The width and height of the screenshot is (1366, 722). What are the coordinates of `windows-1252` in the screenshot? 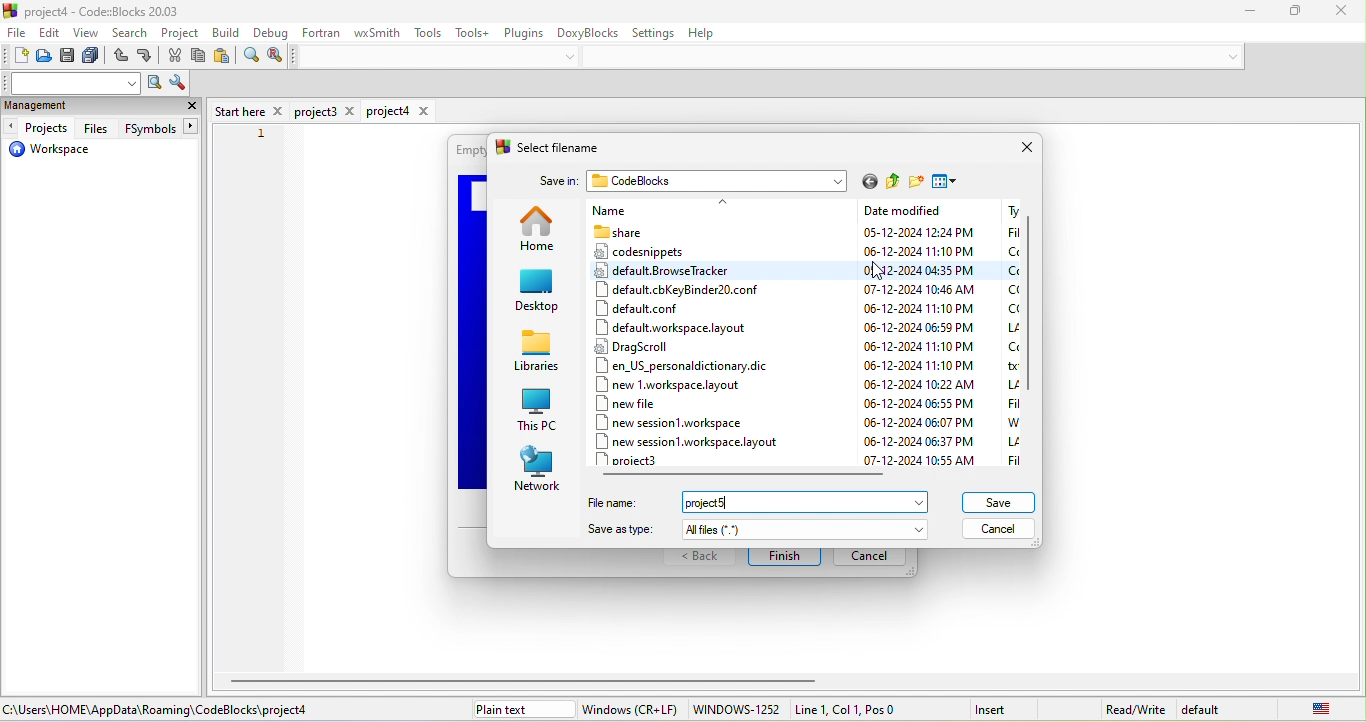 It's located at (736, 710).